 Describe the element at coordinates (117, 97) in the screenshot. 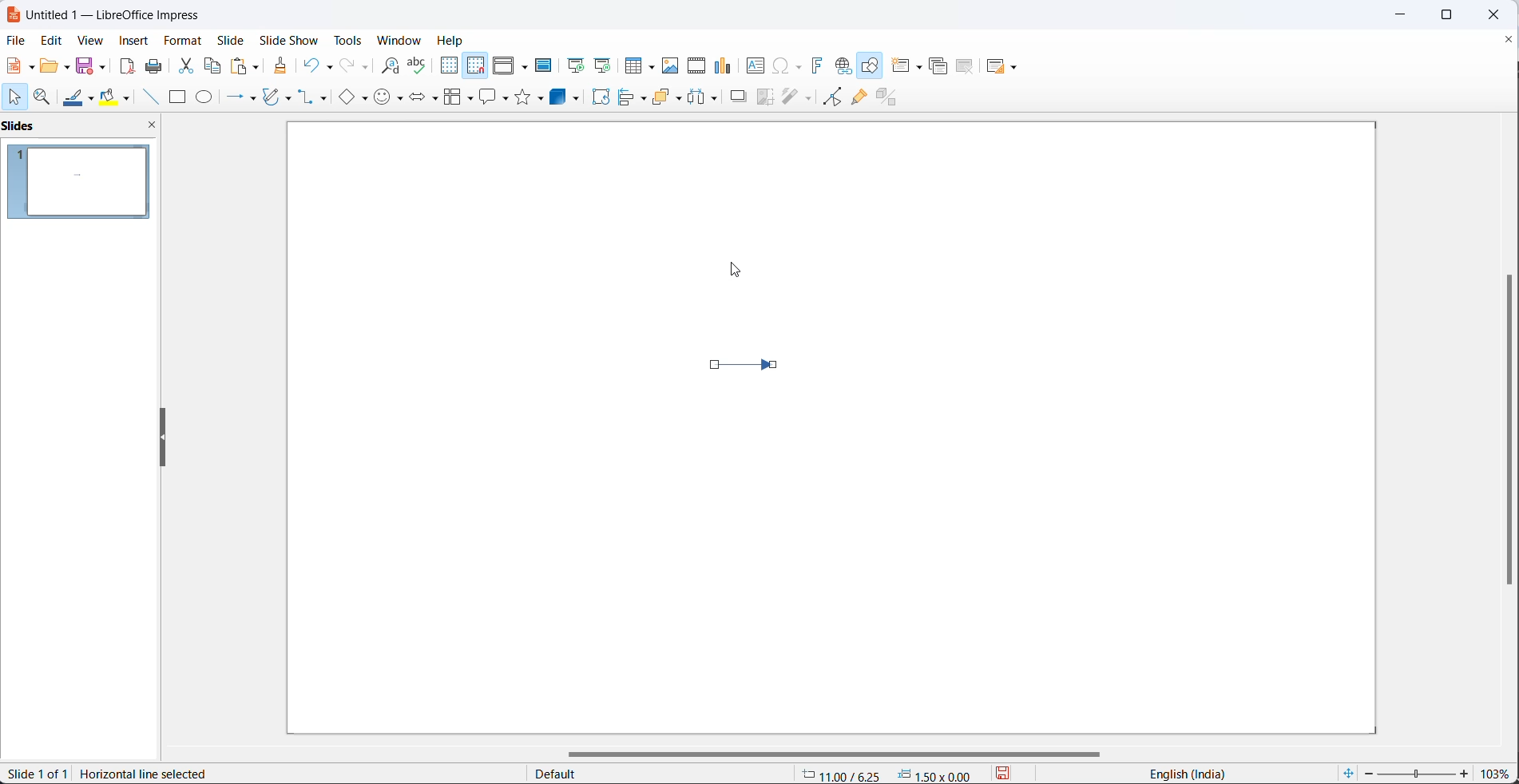

I see `fill color` at that location.